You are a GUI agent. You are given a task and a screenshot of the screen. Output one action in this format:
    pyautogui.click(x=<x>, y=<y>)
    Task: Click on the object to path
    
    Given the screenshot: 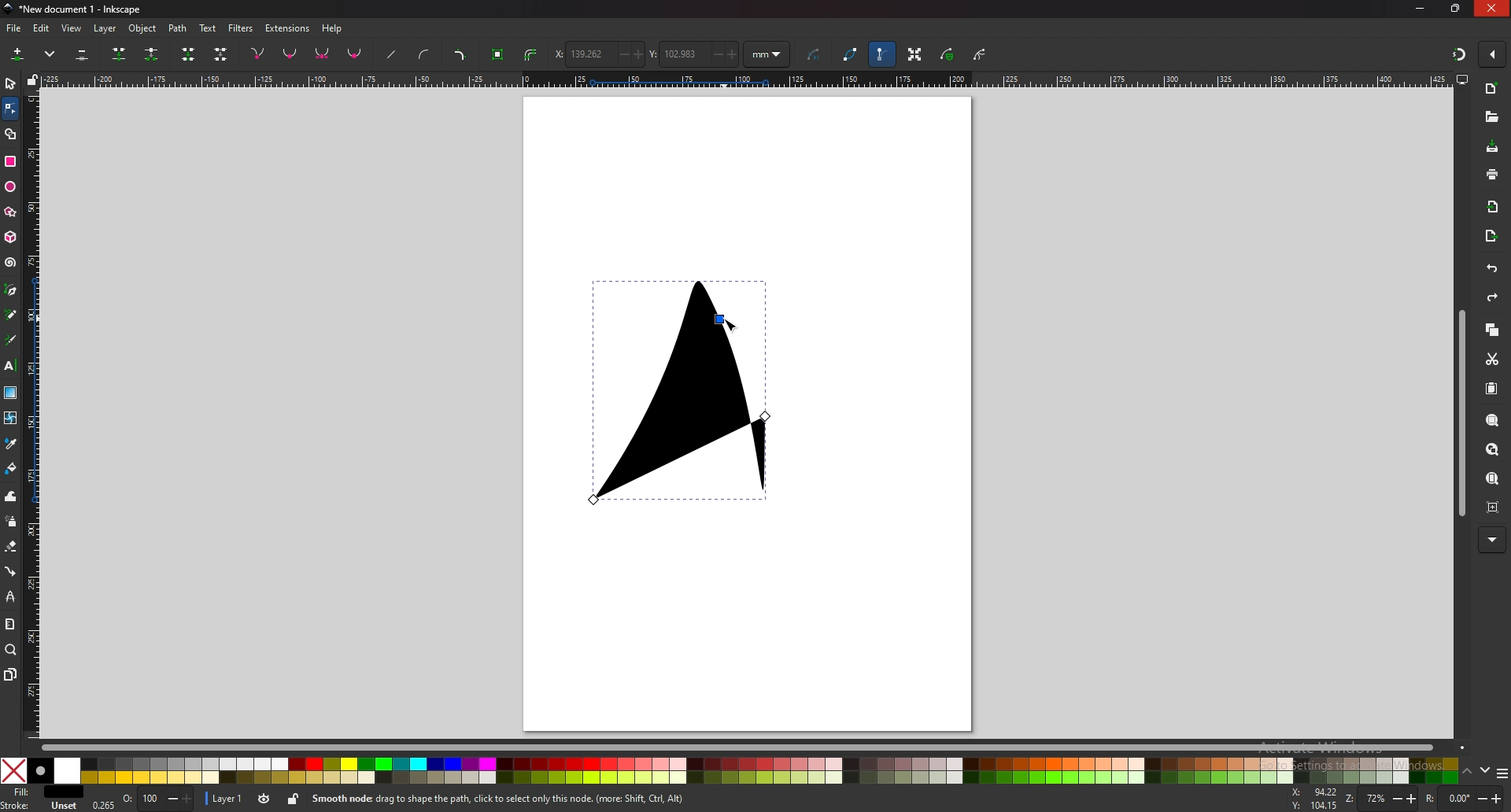 What is the action you would take?
    pyautogui.click(x=500, y=55)
    